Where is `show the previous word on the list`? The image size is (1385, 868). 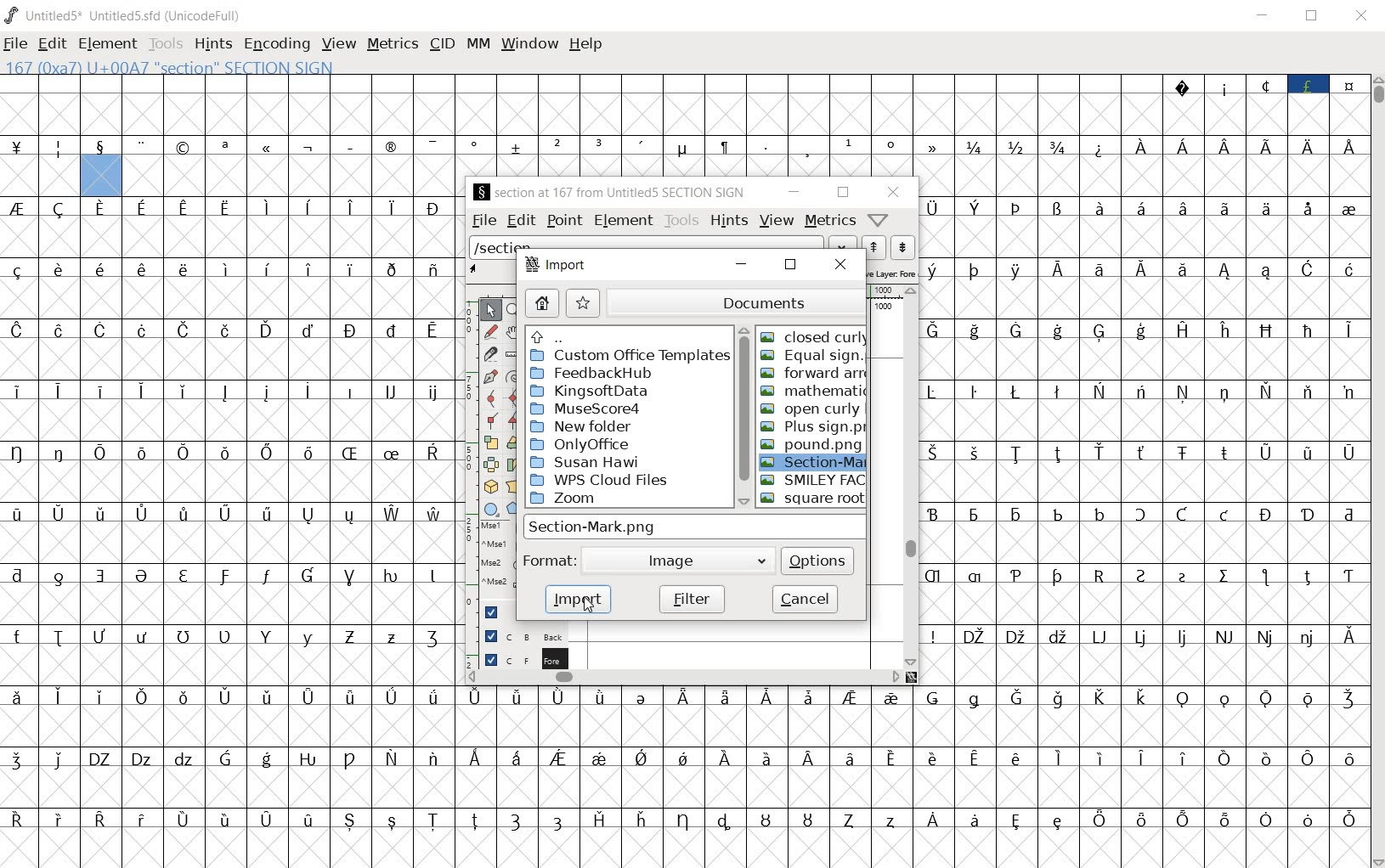
show the previous word on the list is located at coordinates (902, 247).